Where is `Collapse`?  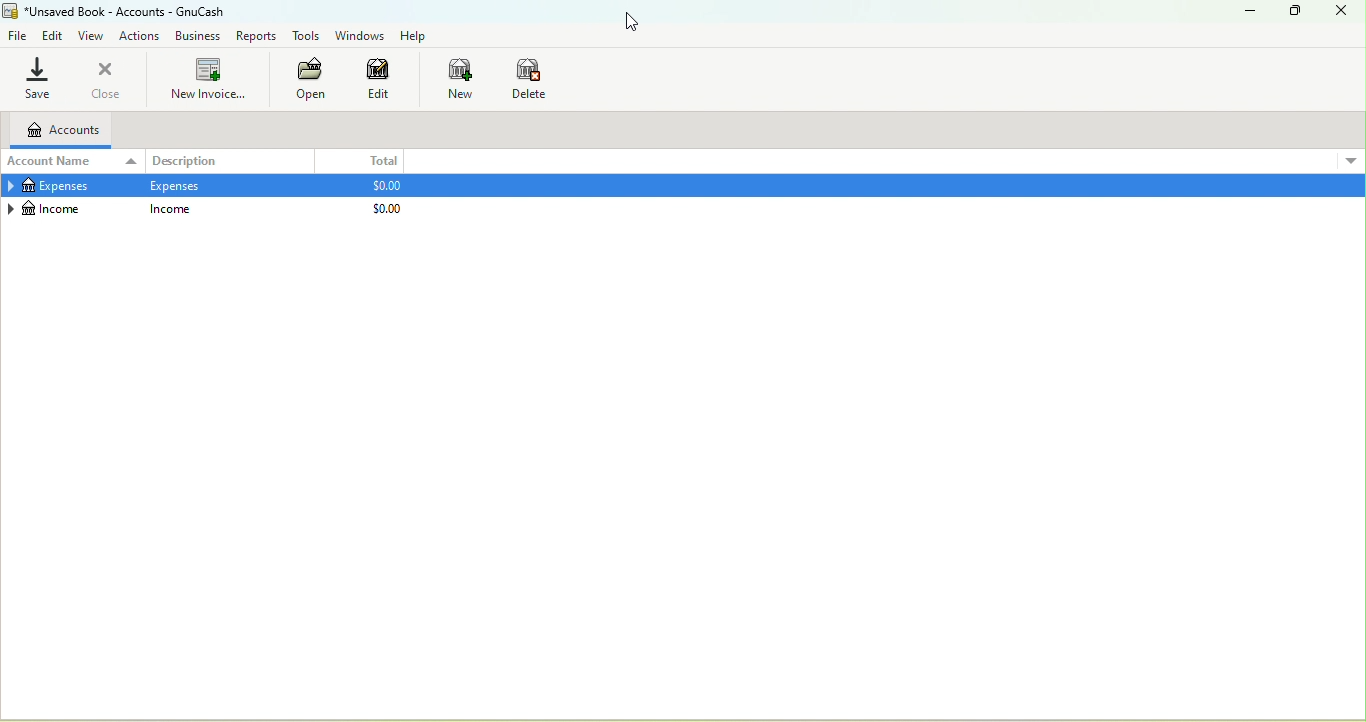
Collapse is located at coordinates (9, 208).